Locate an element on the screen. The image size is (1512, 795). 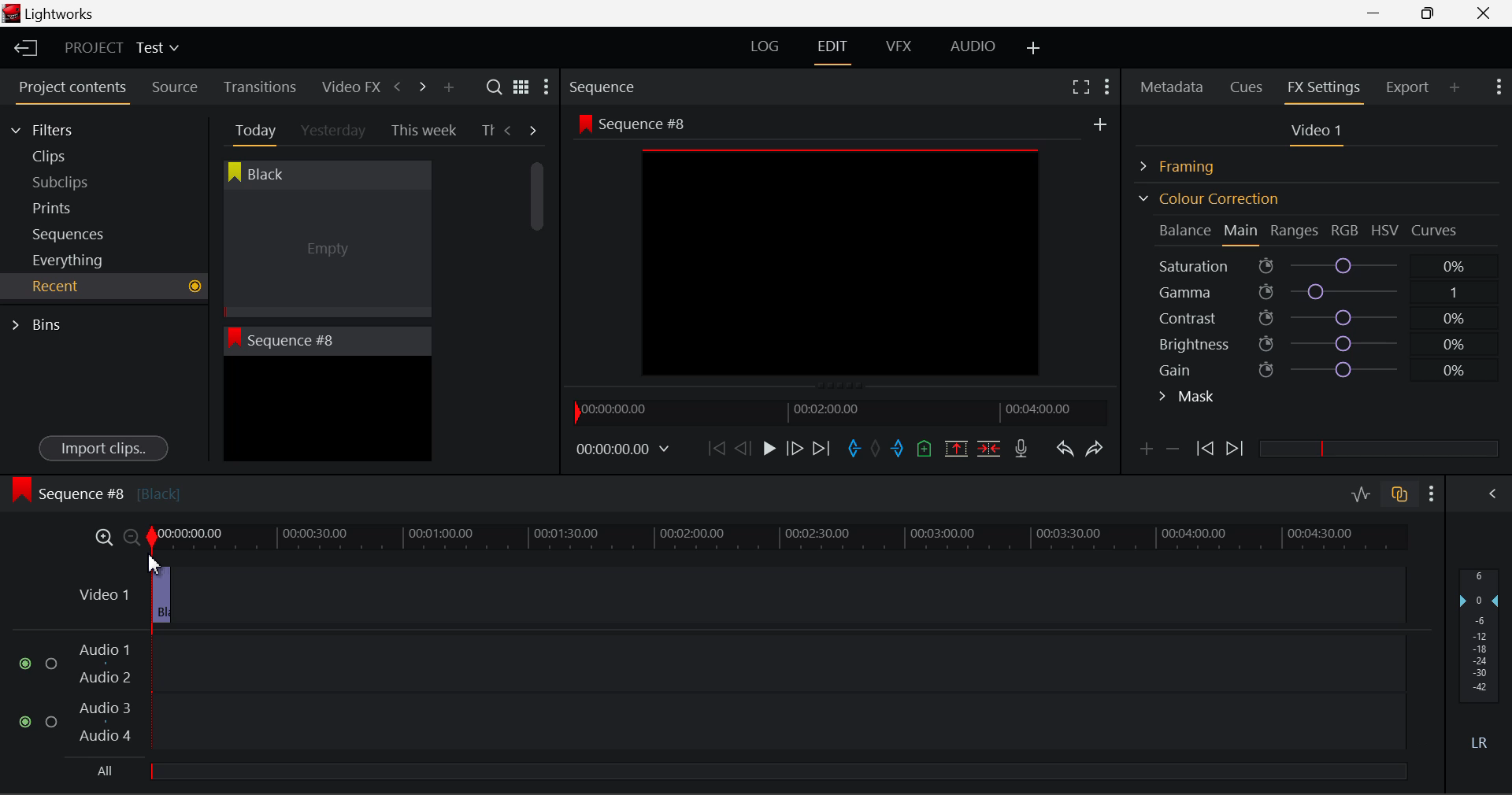
Delete keyframe is located at coordinates (1173, 452).